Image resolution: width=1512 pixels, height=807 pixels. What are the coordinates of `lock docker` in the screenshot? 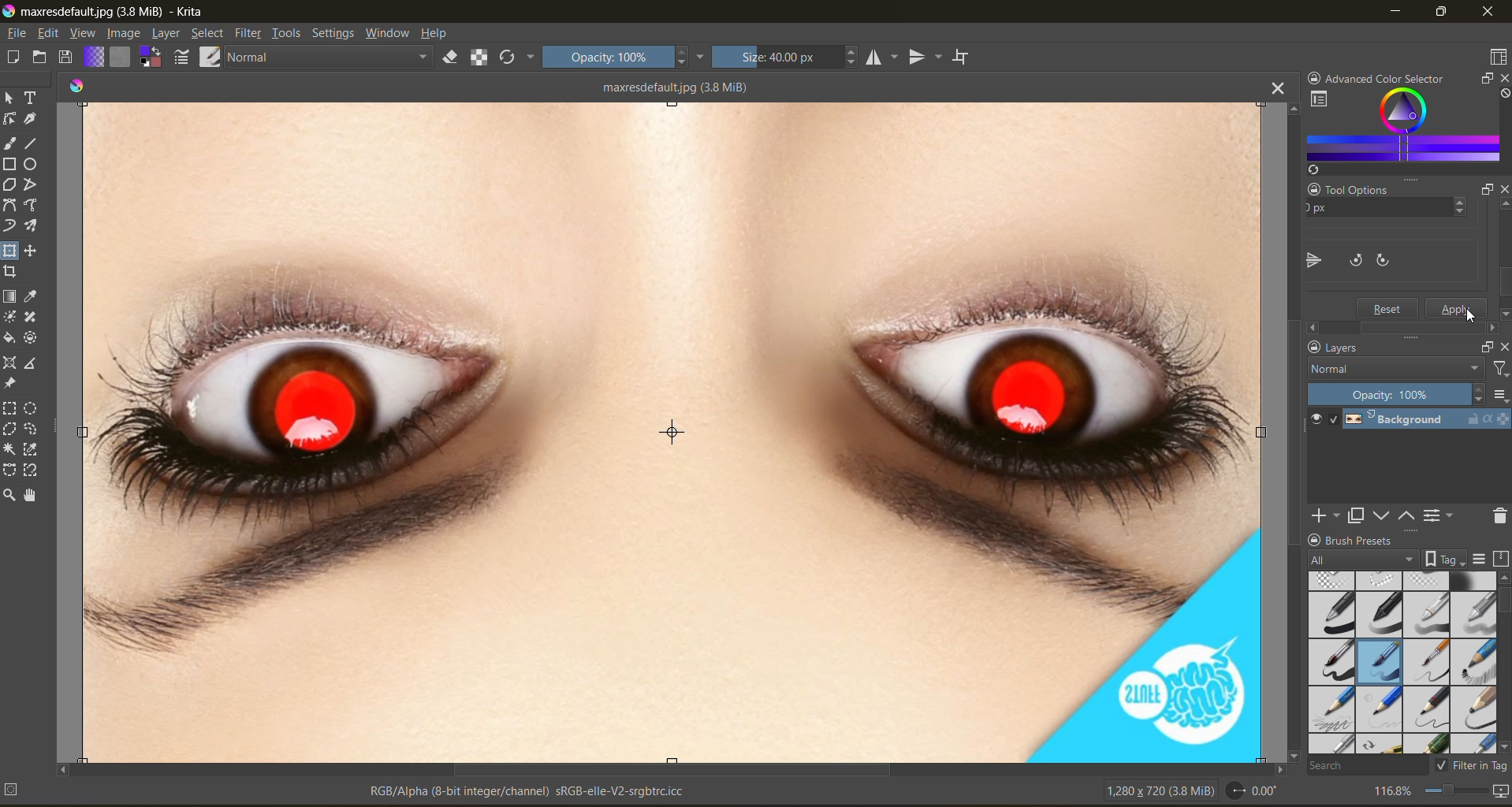 It's located at (1315, 347).